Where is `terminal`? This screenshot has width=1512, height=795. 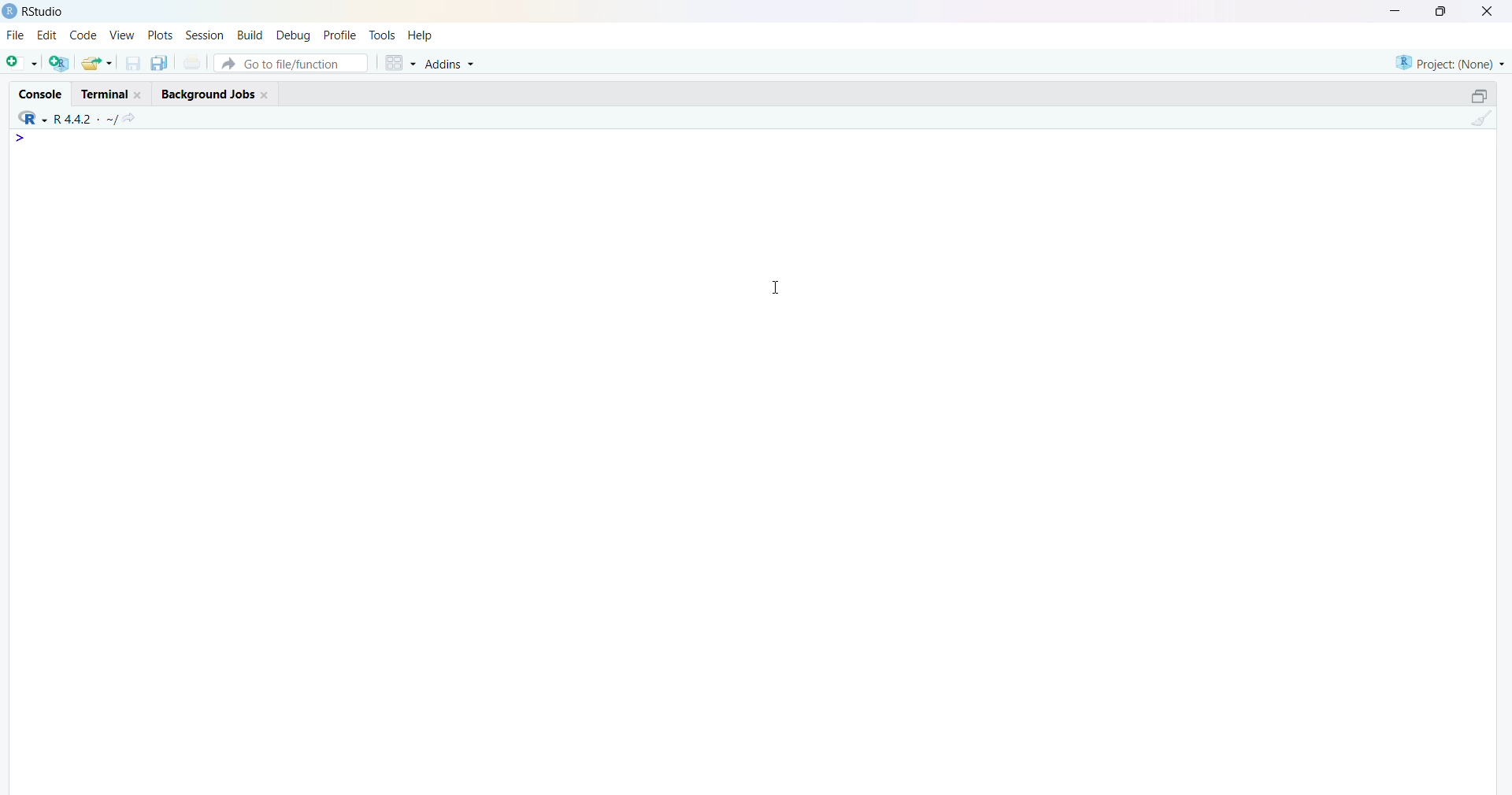
terminal is located at coordinates (104, 94).